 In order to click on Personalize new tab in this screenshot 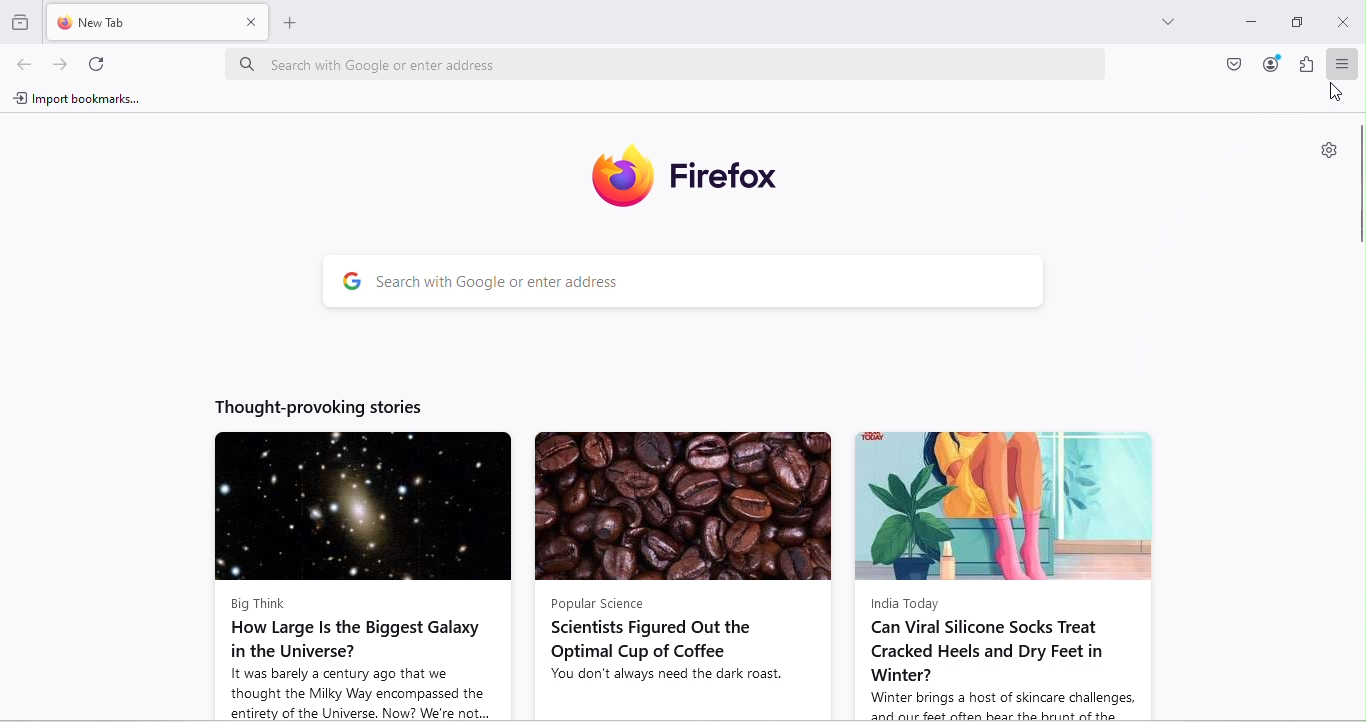, I will do `click(1330, 149)`.